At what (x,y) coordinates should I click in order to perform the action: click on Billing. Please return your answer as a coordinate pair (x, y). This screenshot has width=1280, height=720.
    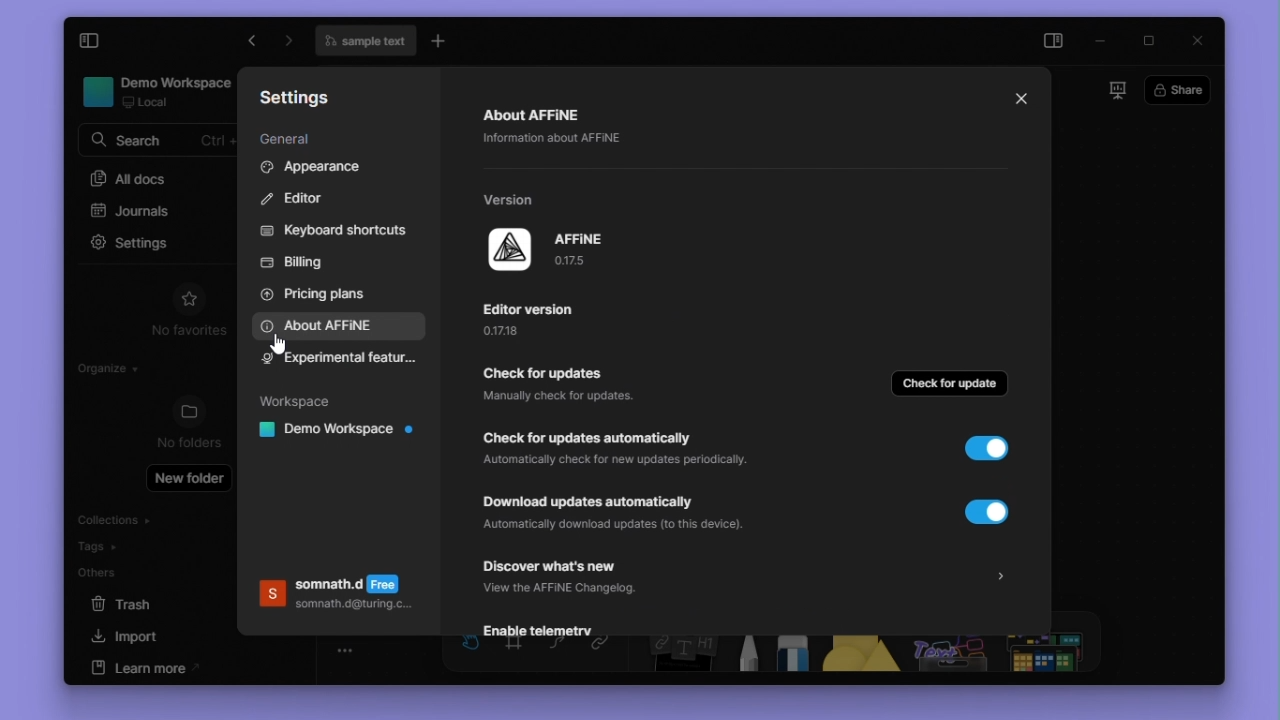
    Looking at the image, I should click on (292, 264).